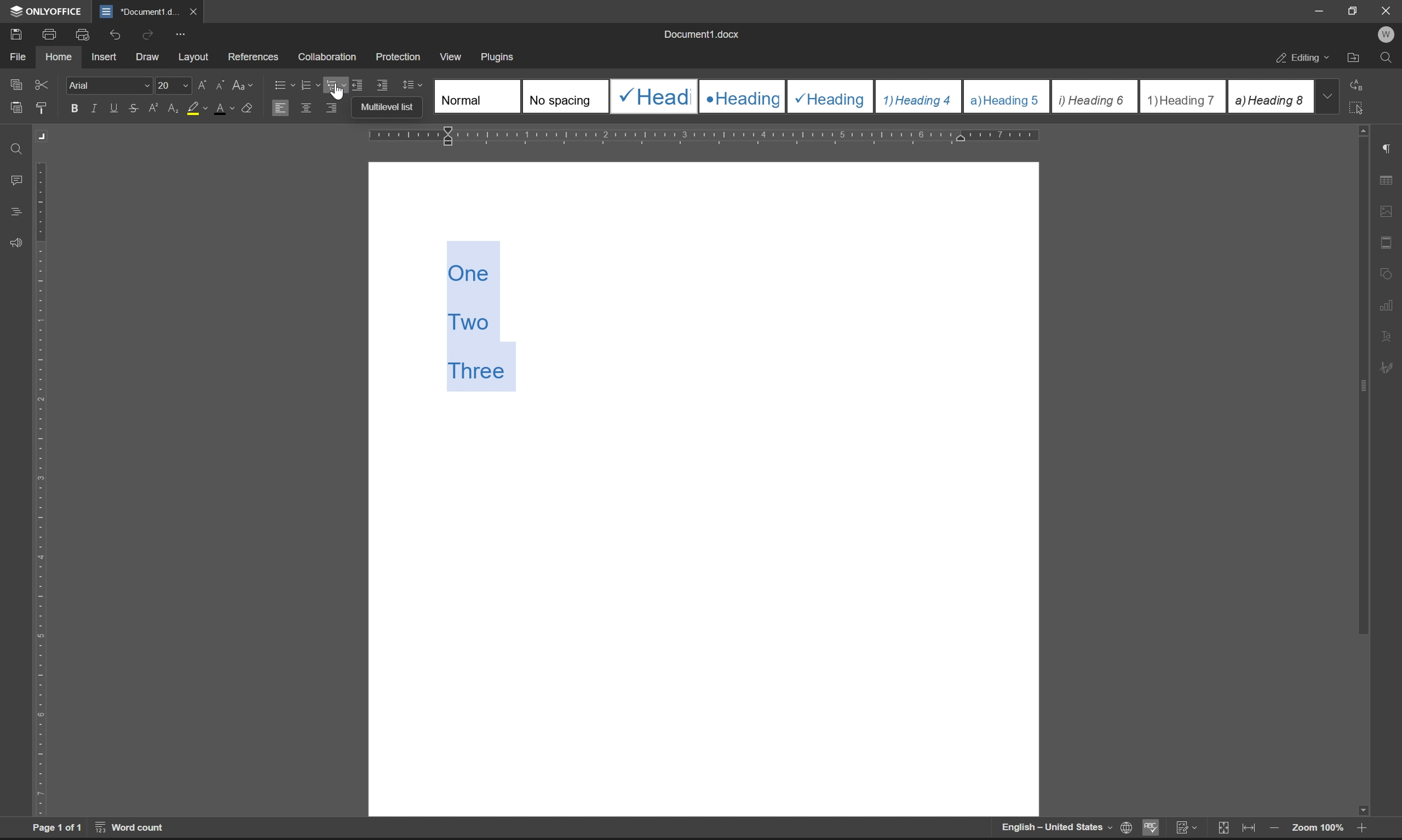 The height and width of the screenshot is (840, 1402). I want to click on drop down, so click(1327, 96).